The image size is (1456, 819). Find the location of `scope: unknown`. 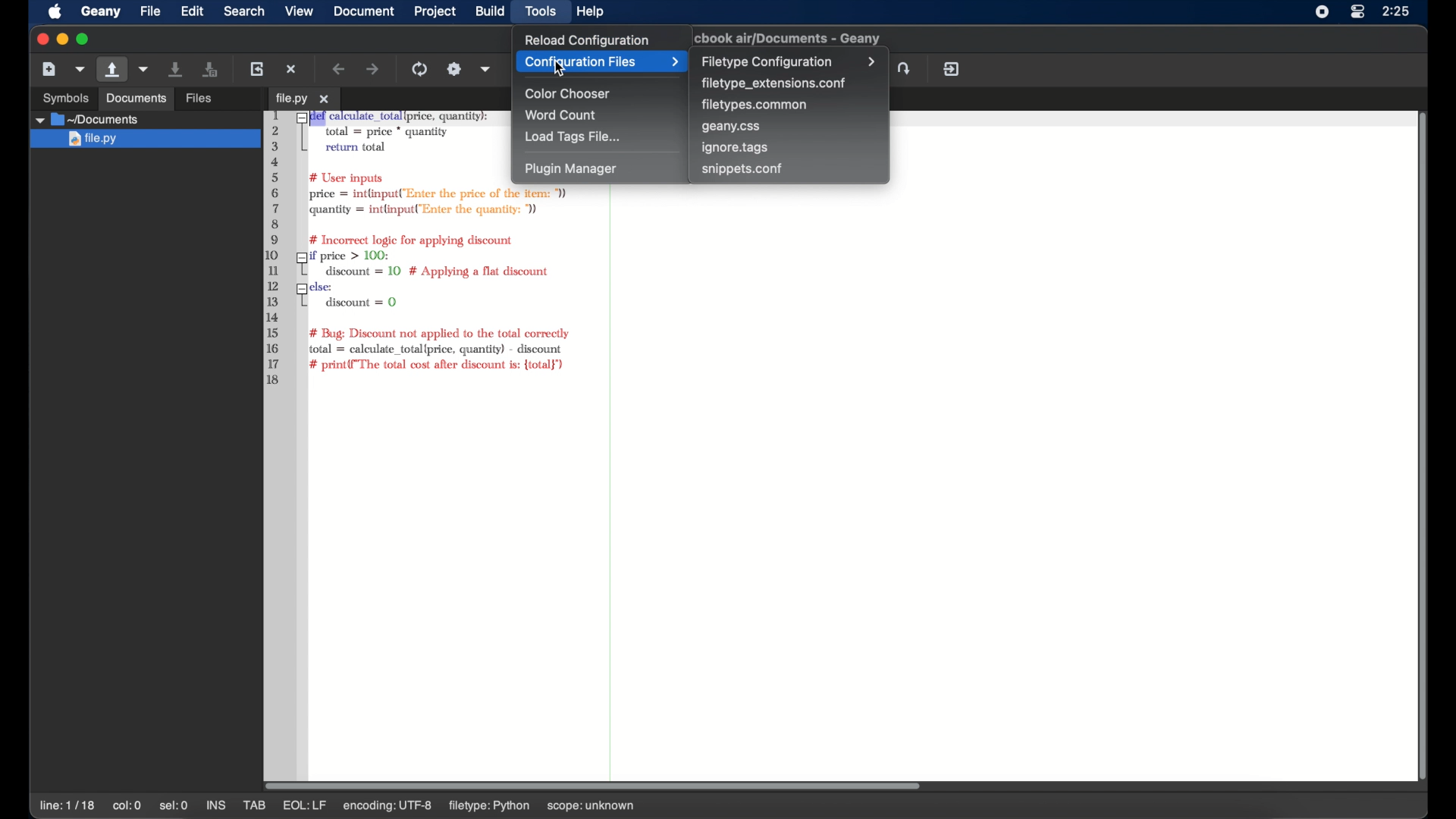

scope: unknown is located at coordinates (637, 807).